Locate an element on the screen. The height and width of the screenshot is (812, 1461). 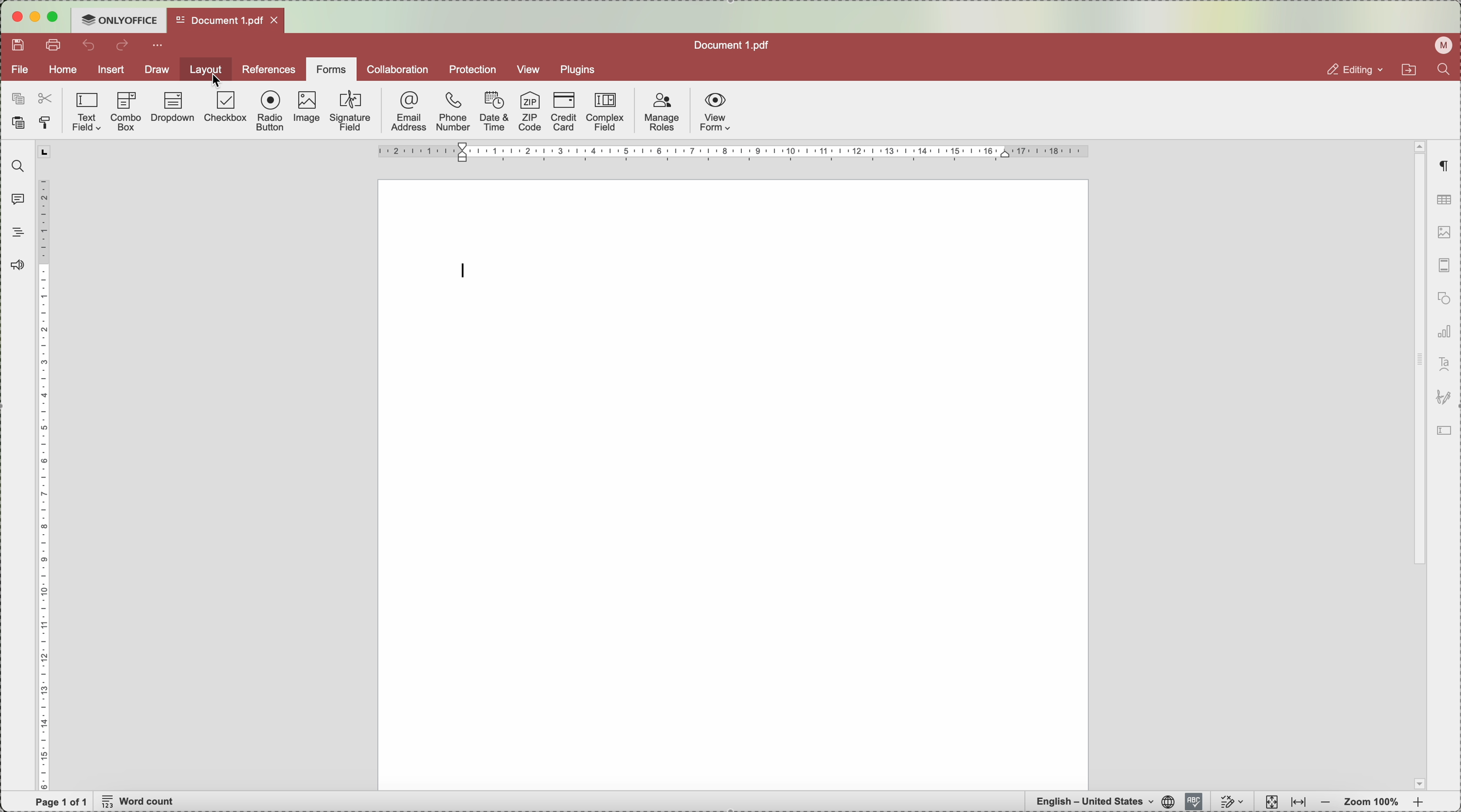
copy style is located at coordinates (48, 123).